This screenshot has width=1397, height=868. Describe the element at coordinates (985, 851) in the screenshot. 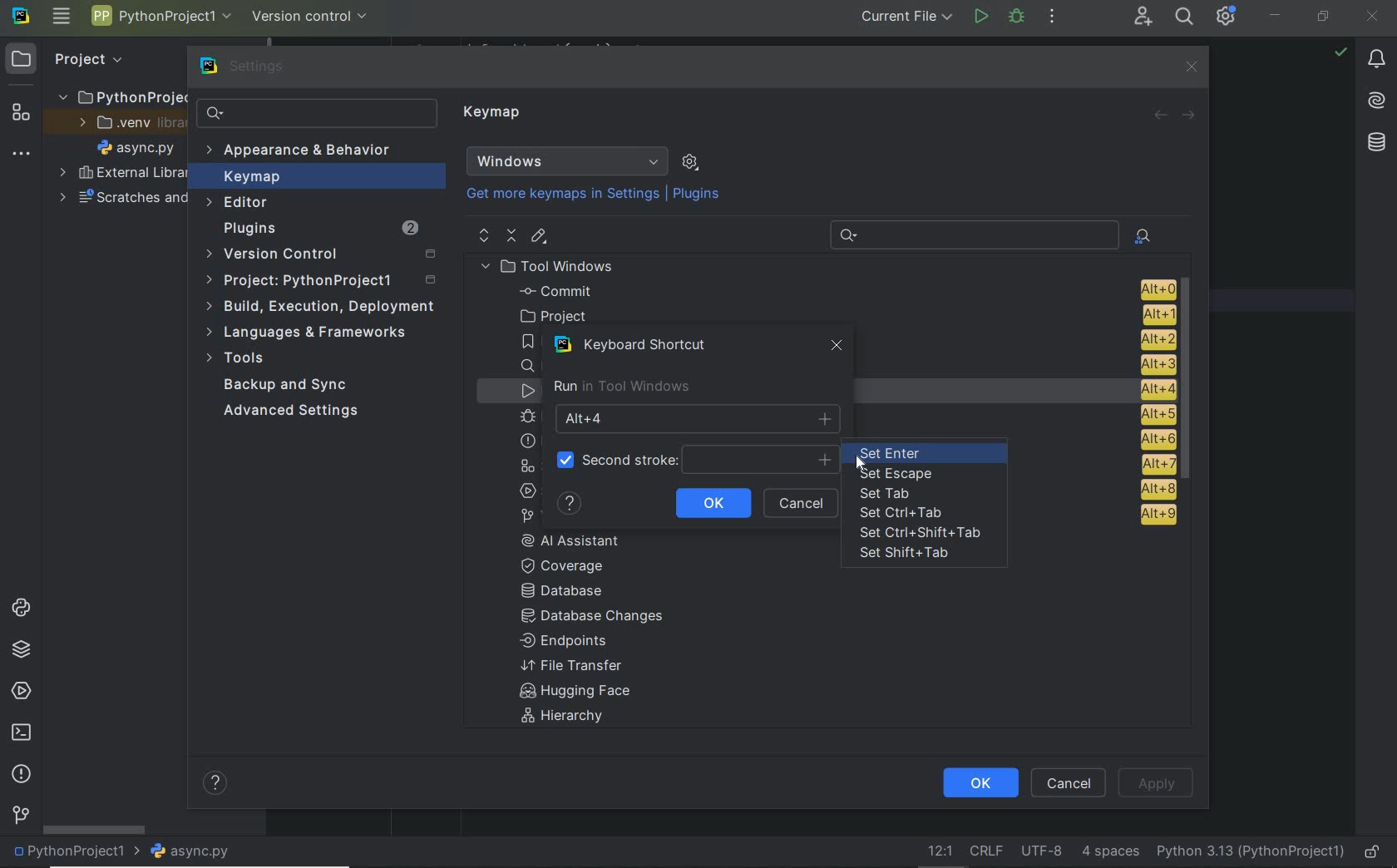

I see `Line separator` at that location.